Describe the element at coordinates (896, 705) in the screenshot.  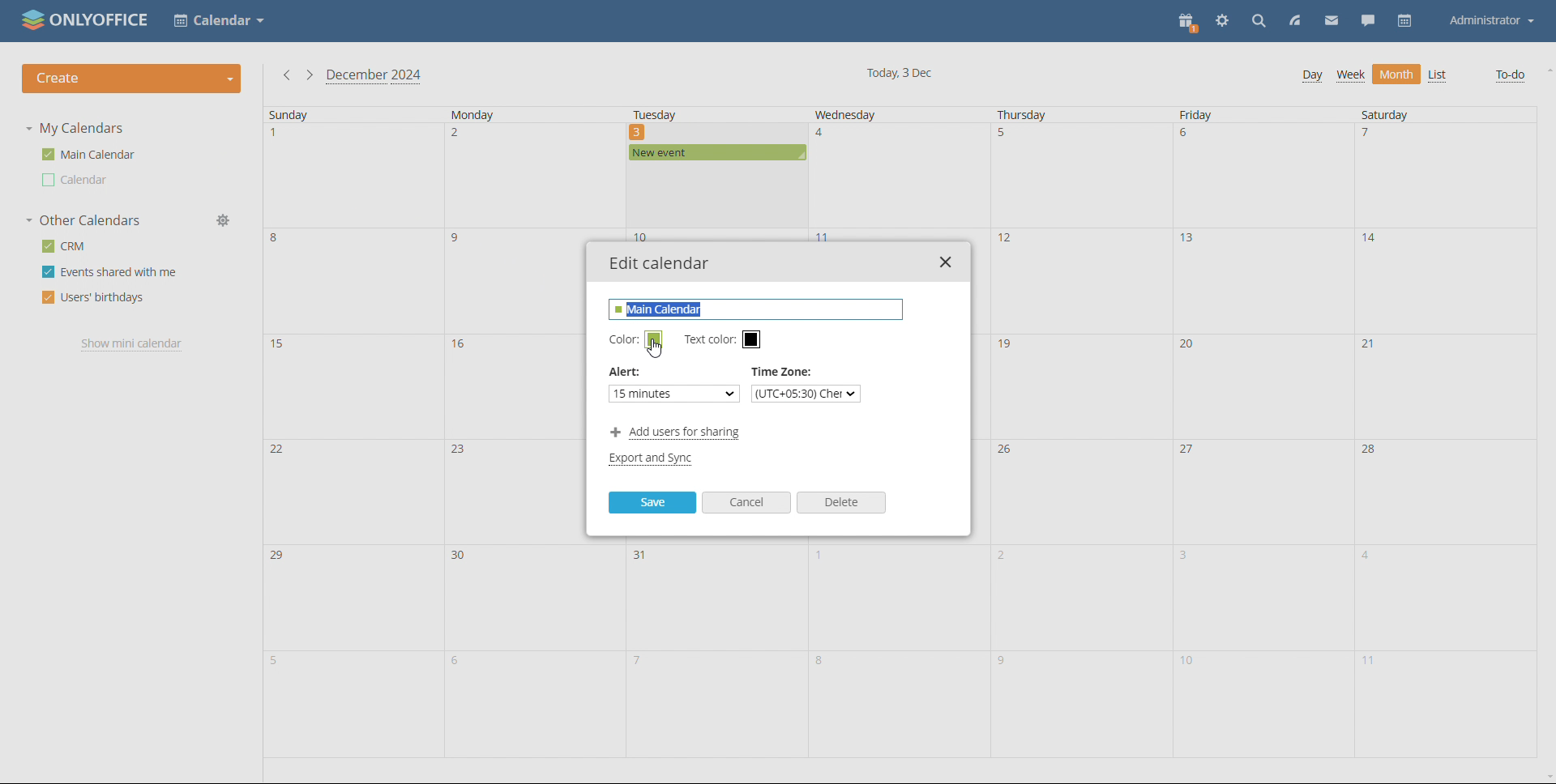
I see `date` at that location.